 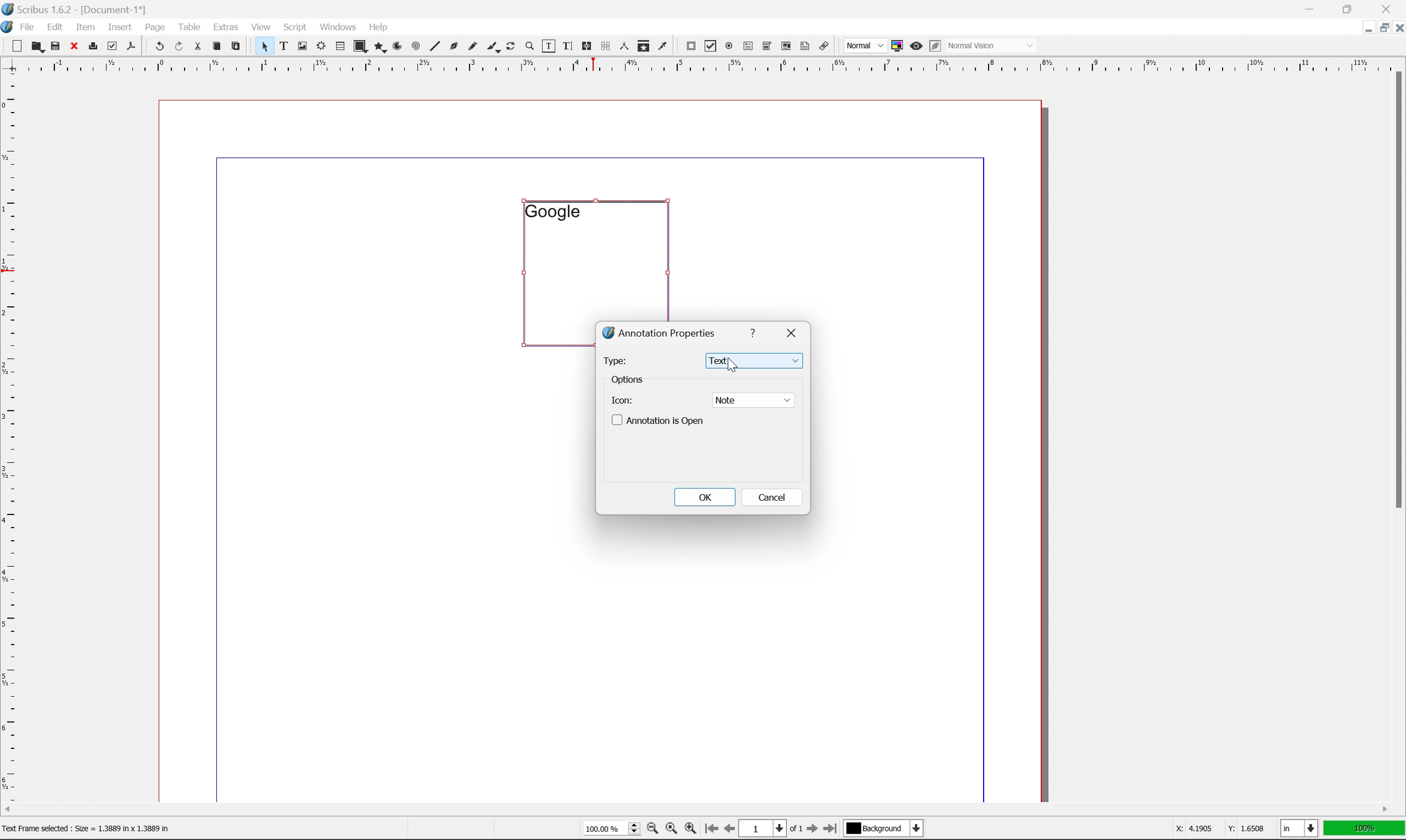 I want to click on cut, so click(x=198, y=46).